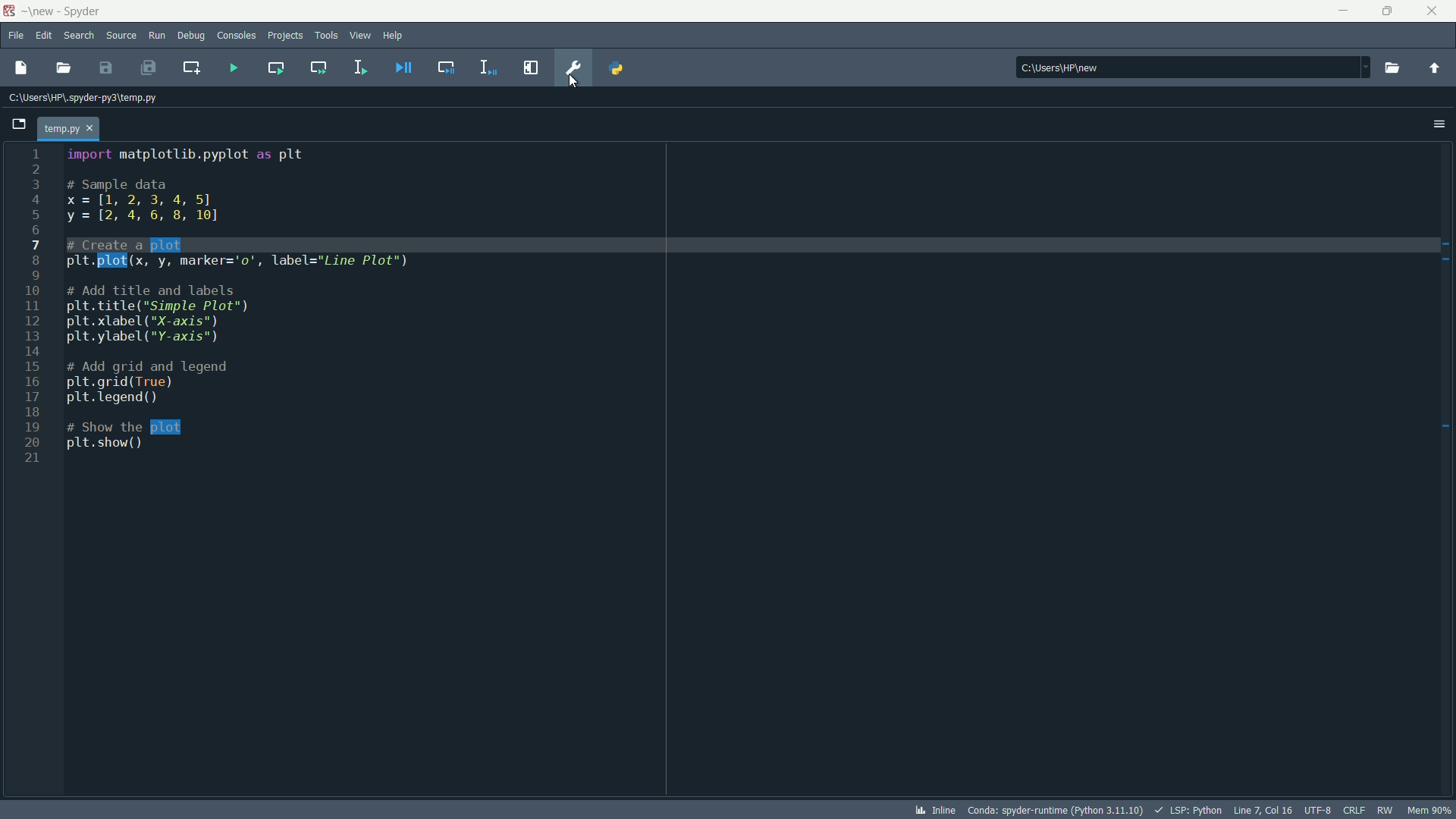 This screenshot has width=1456, height=819. Describe the element at coordinates (42, 11) in the screenshot. I see `folder name` at that location.